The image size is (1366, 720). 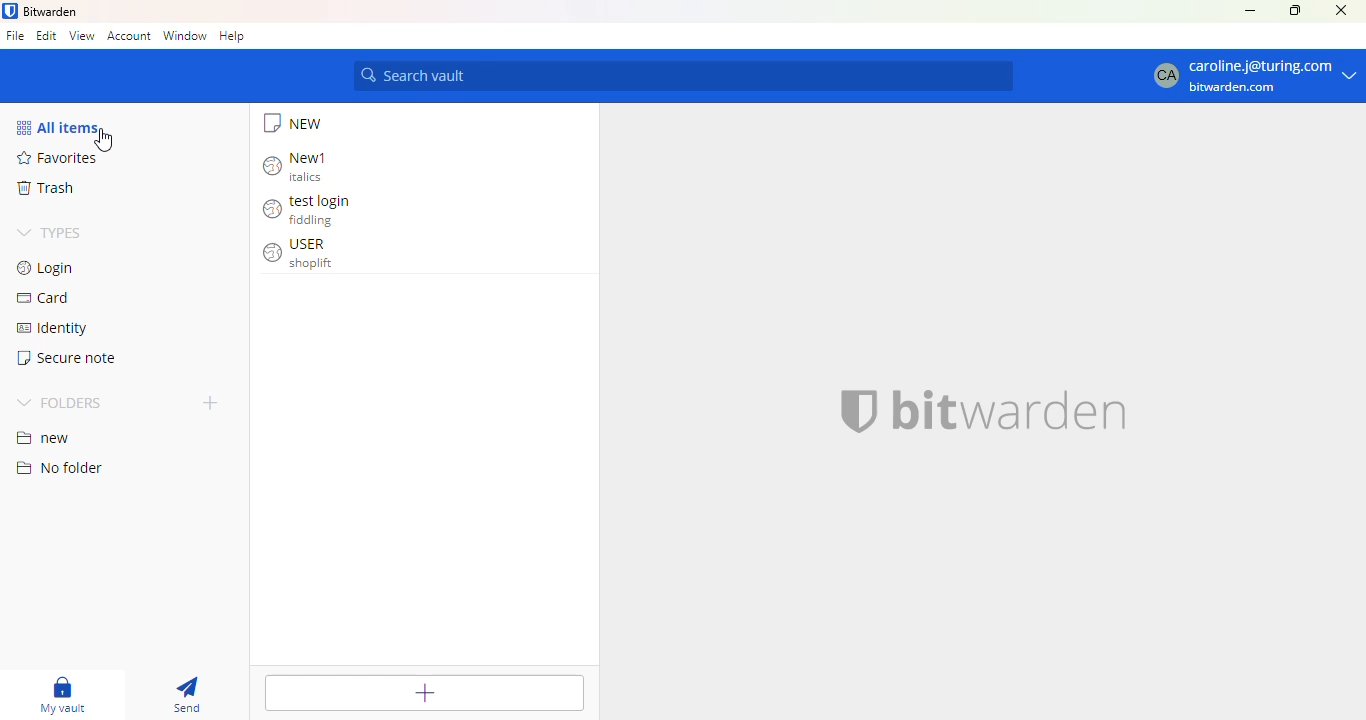 I want to click on window, so click(x=185, y=36).